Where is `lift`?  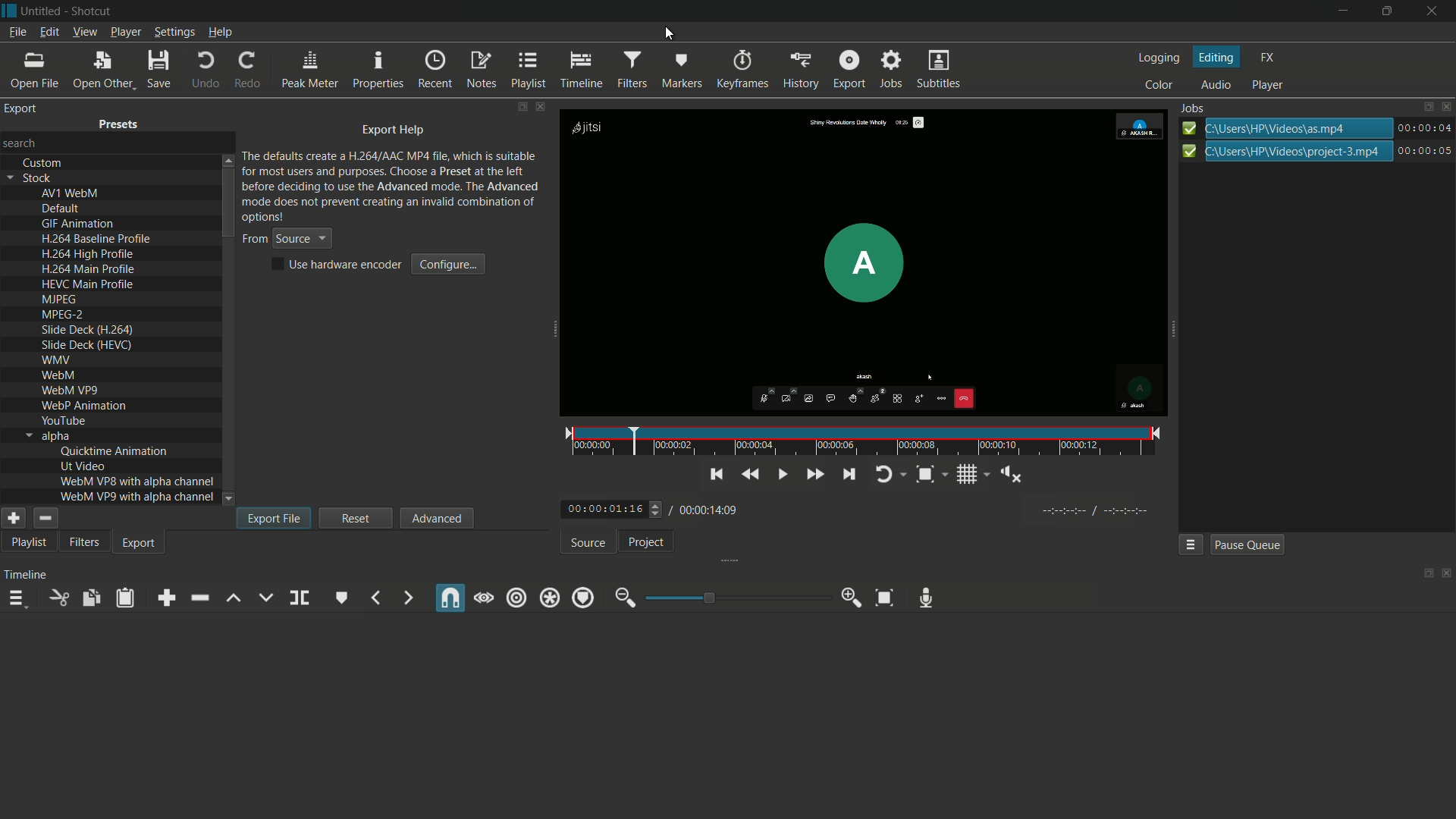 lift is located at coordinates (234, 598).